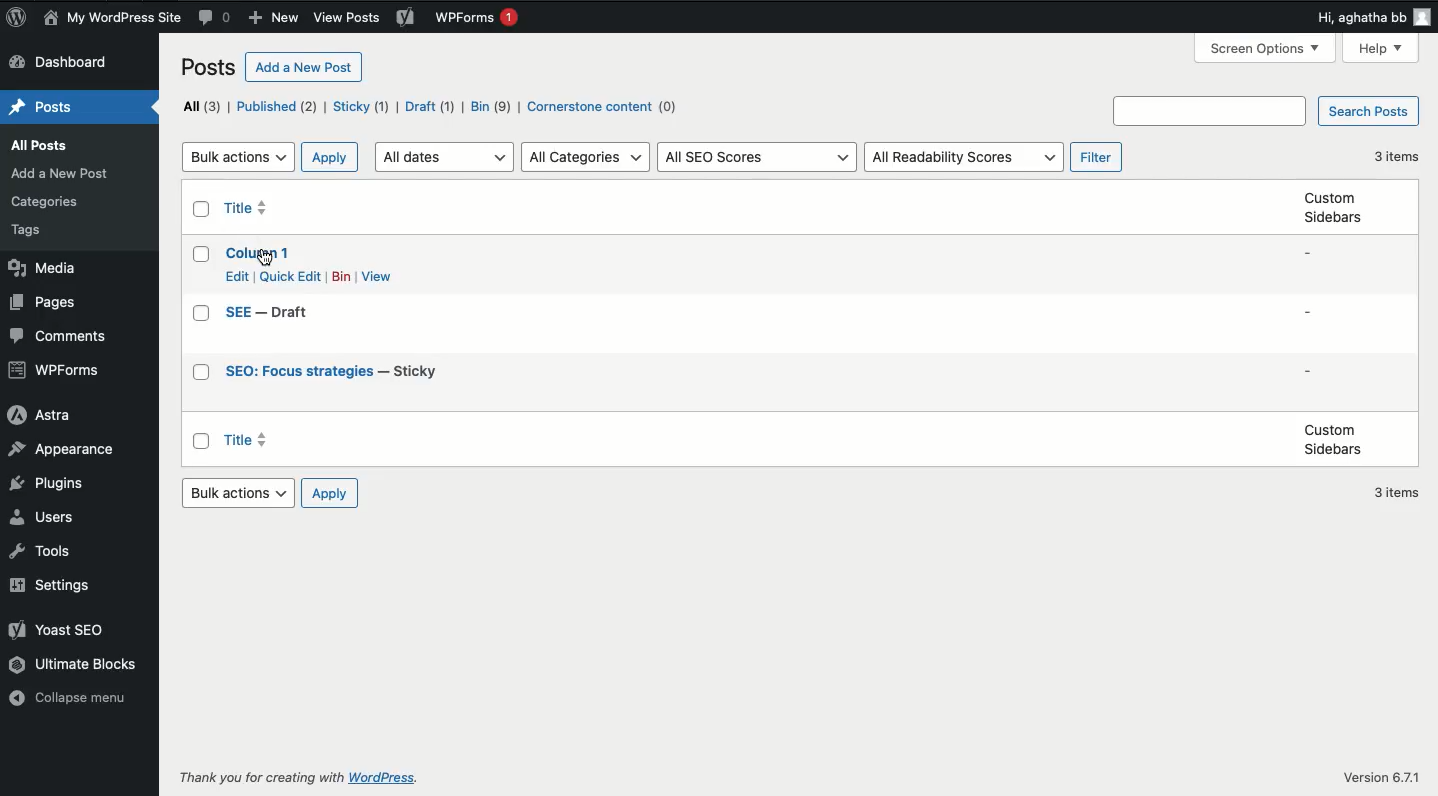 This screenshot has width=1438, height=796. Describe the element at coordinates (203, 312) in the screenshot. I see `Checkbox` at that location.